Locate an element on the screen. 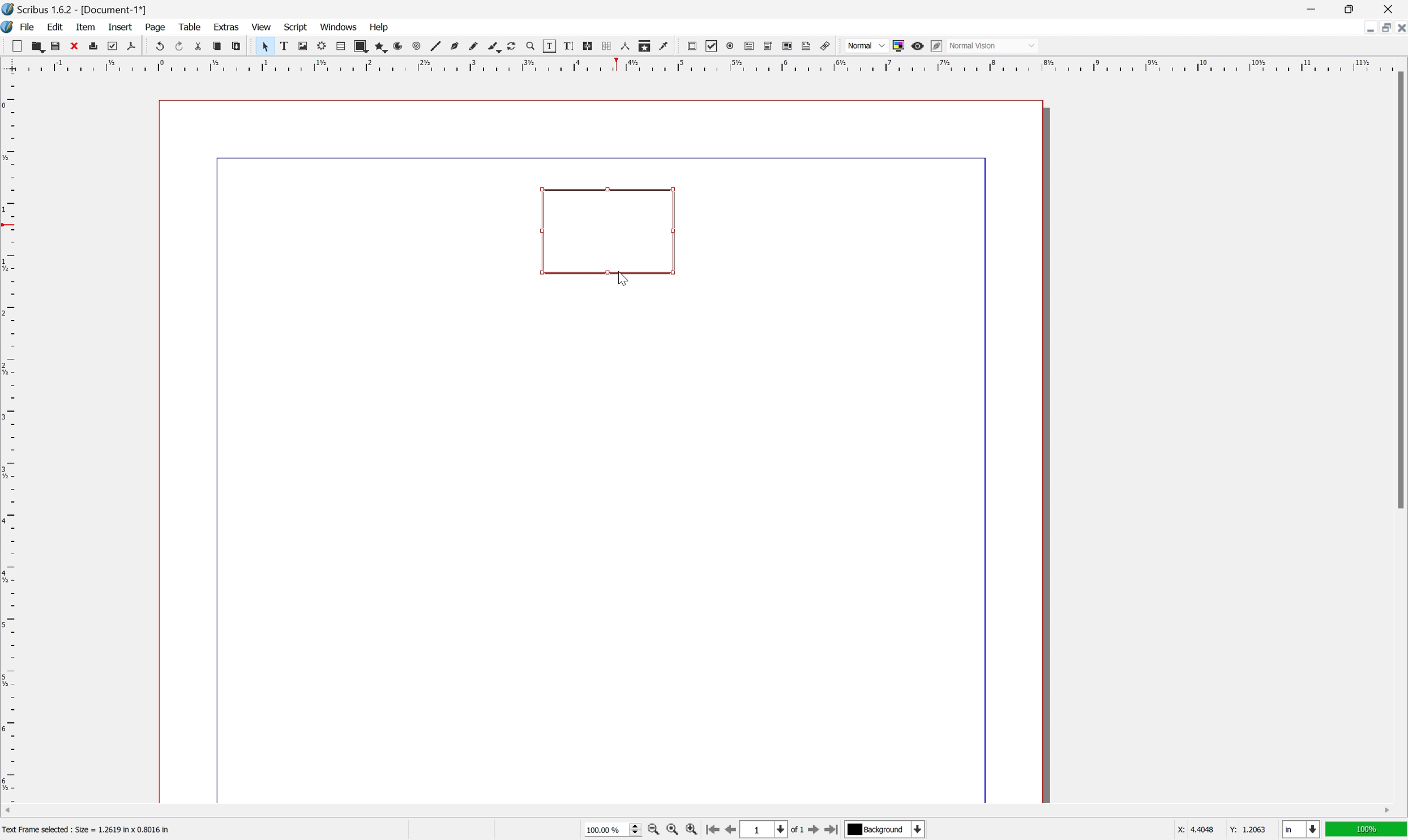  Background is located at coordinates (884, 830).